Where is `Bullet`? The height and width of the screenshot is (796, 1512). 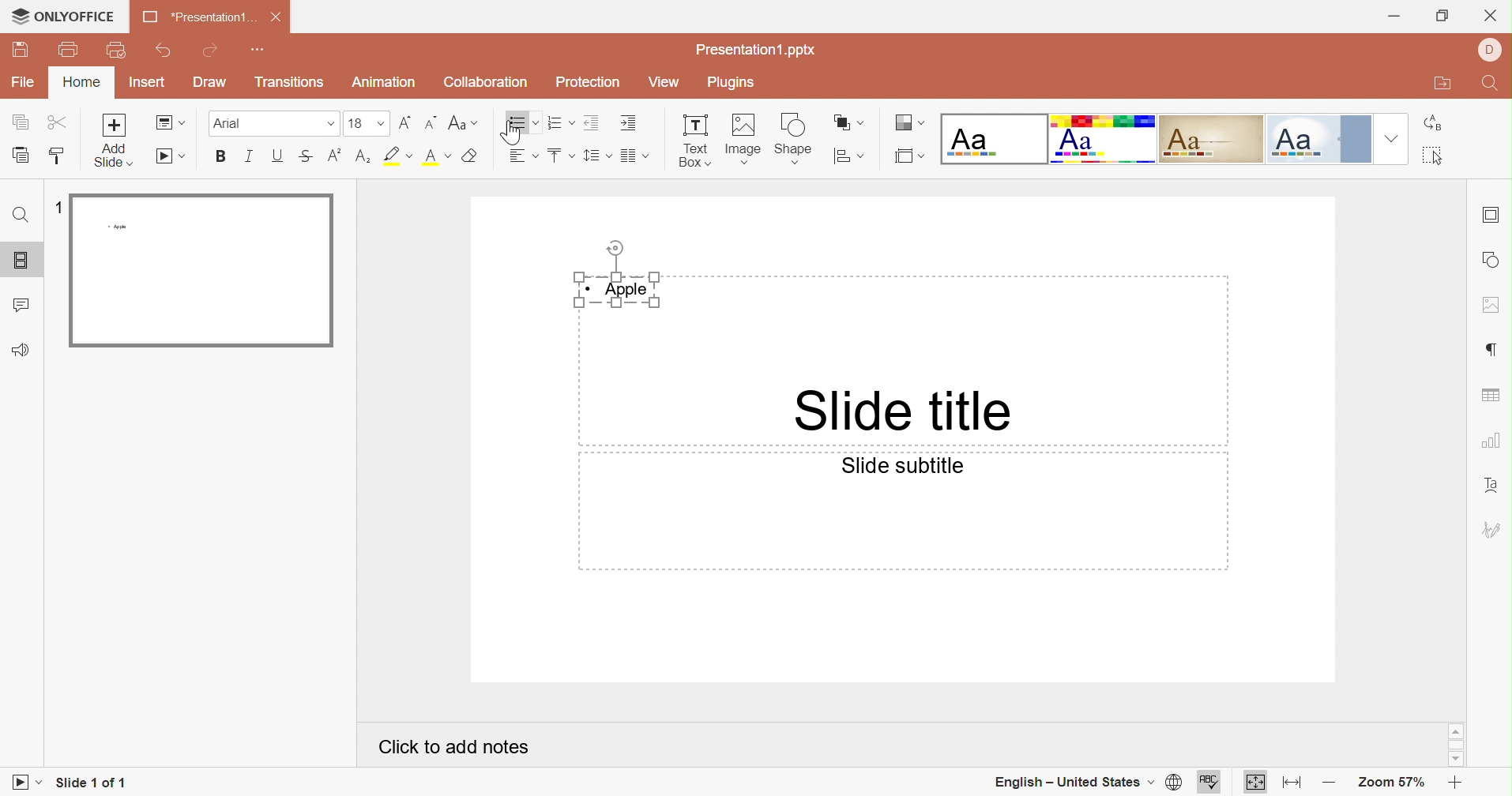 Bullet is located at coordinates (589, 288).